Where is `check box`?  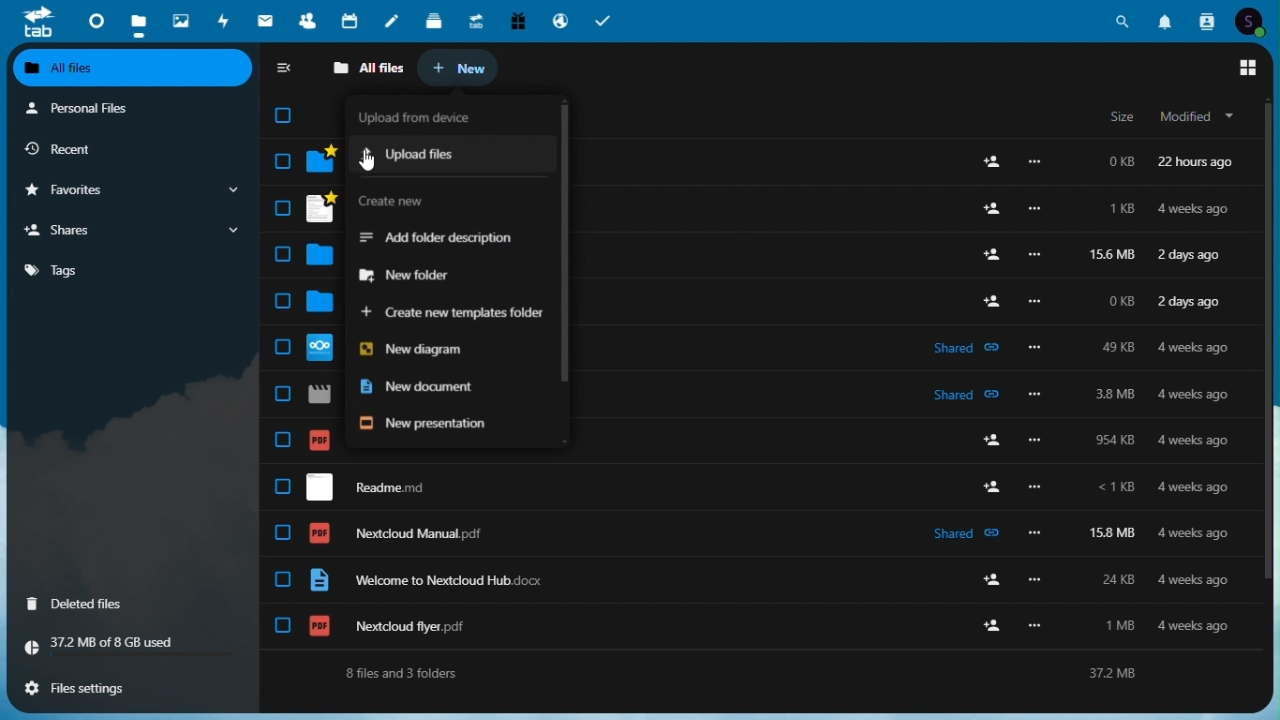 check box is located at coordinates (280, 302).